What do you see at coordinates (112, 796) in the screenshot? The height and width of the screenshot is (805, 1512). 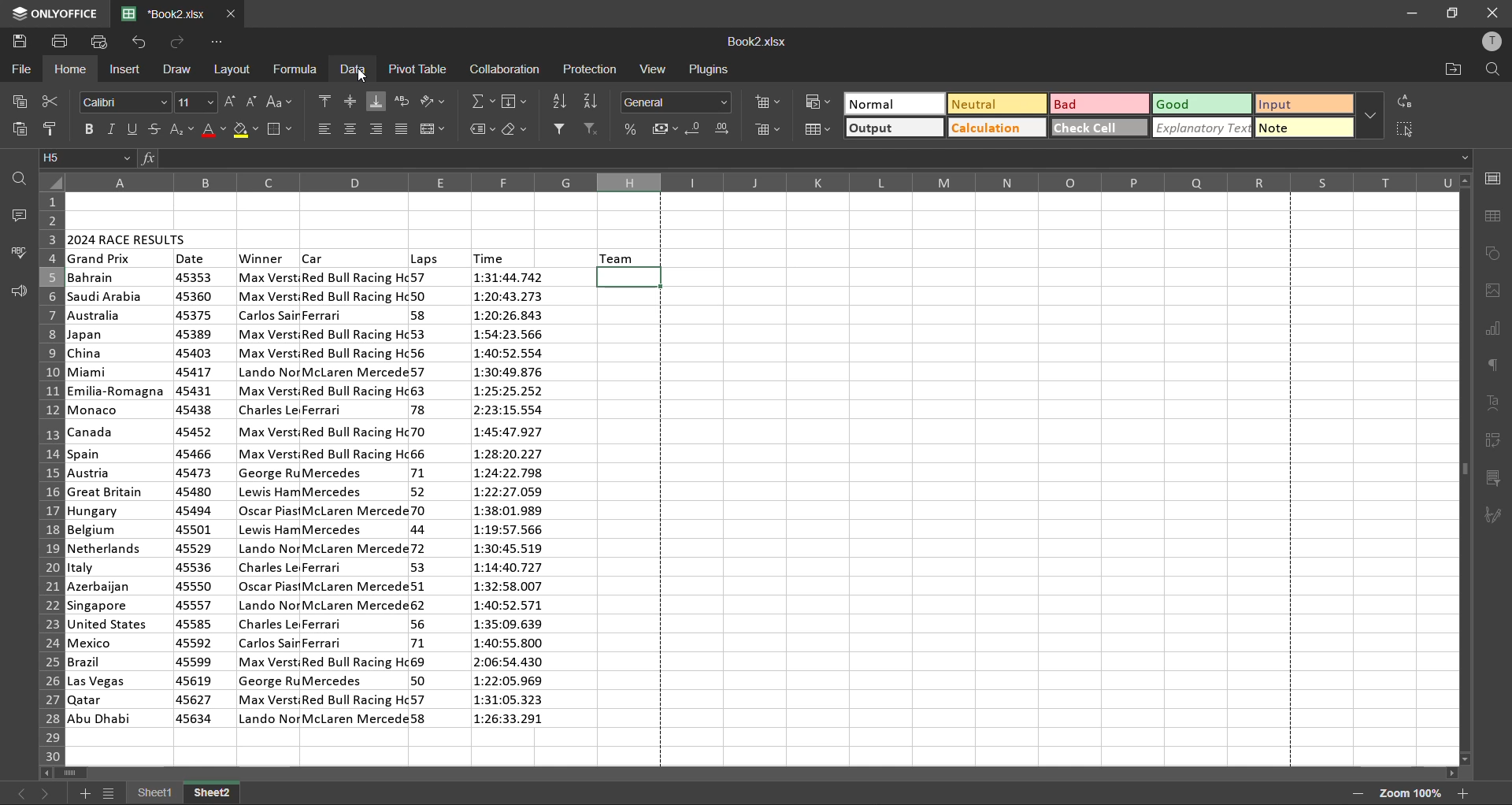 I see `sheet list` at bounding box center [112, 796].